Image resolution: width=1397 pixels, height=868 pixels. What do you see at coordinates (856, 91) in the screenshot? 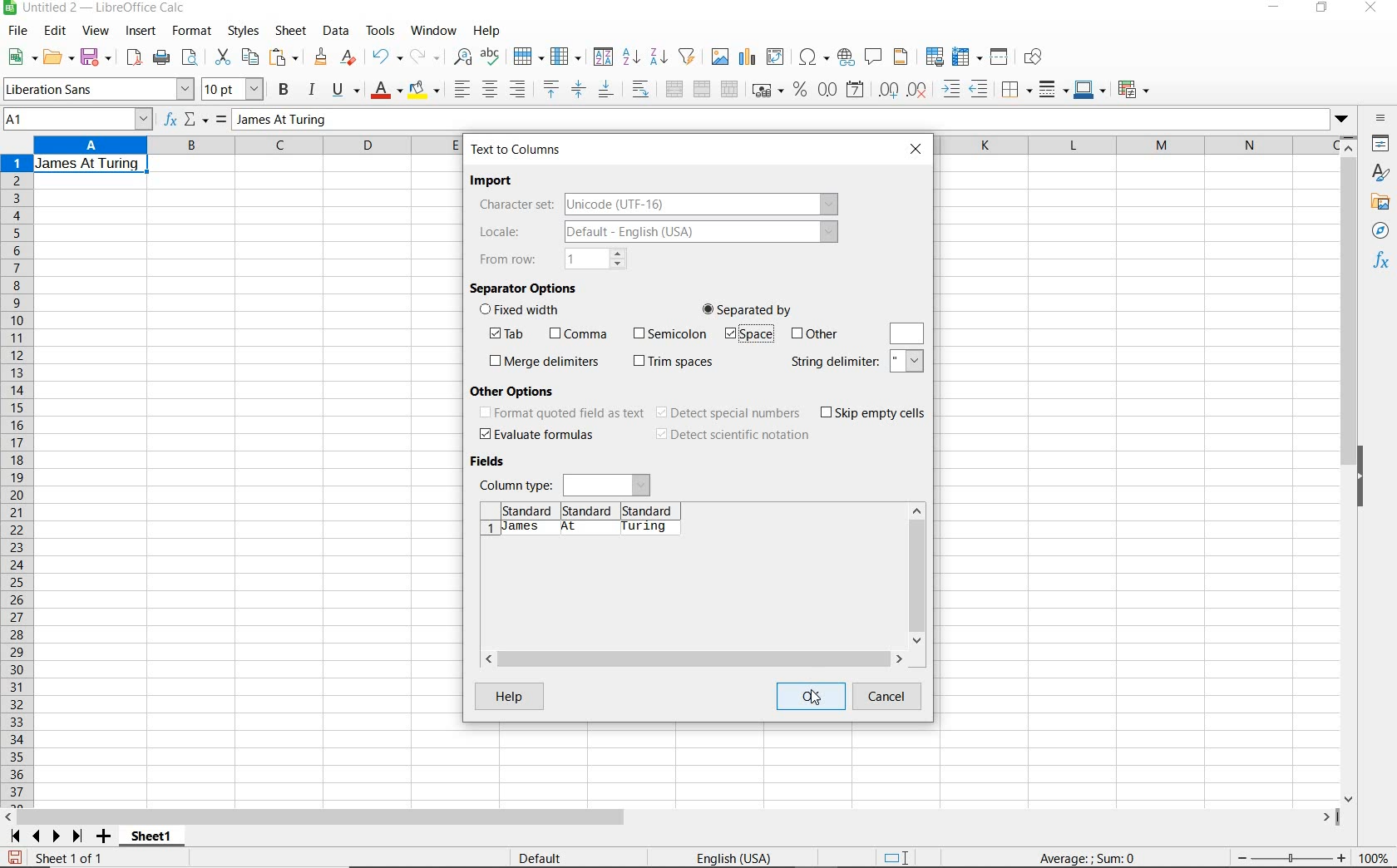
I see `format as date` at bounding box center [856, 91].